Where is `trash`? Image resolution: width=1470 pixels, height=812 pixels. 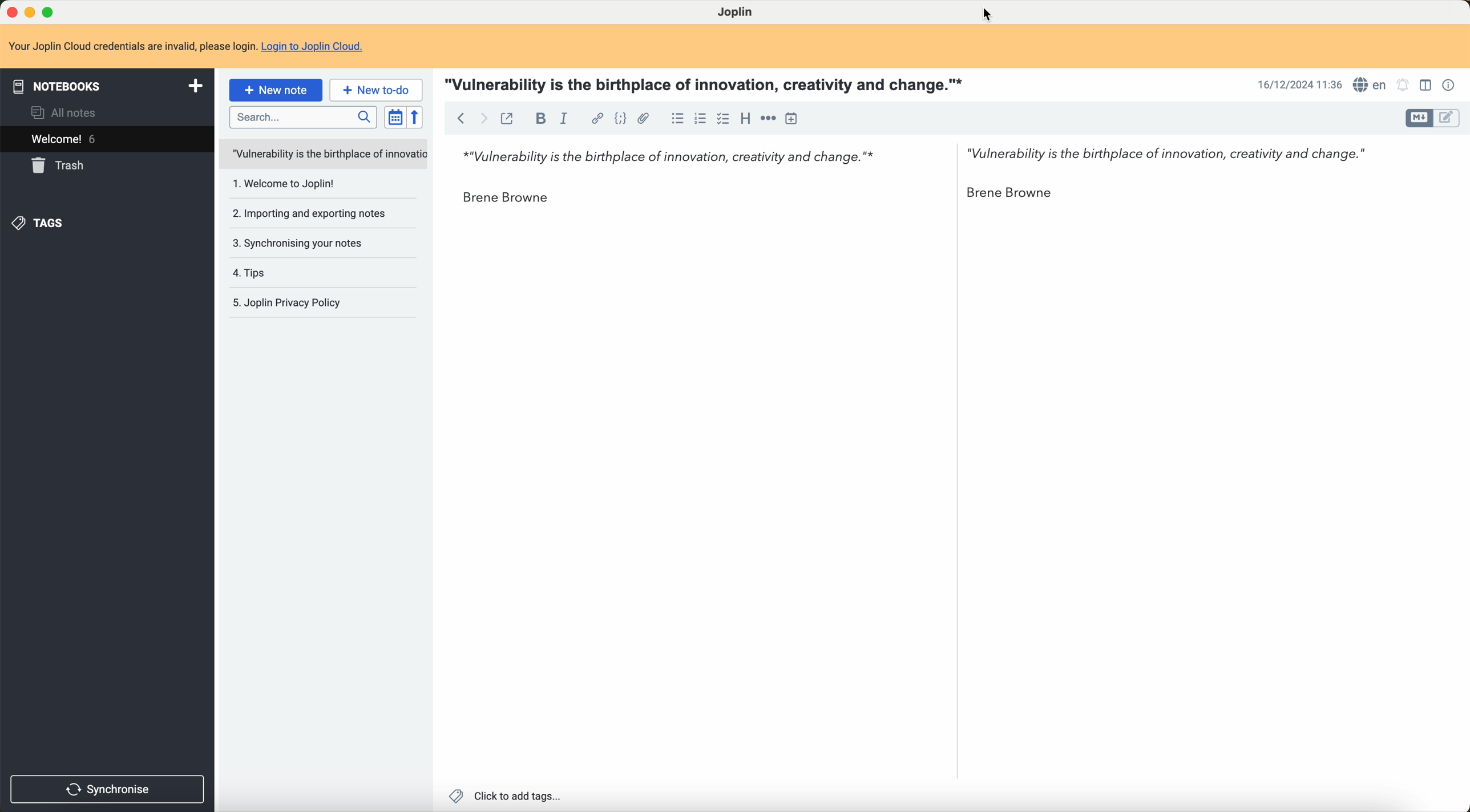 trash is located at coordinates (58, 167).